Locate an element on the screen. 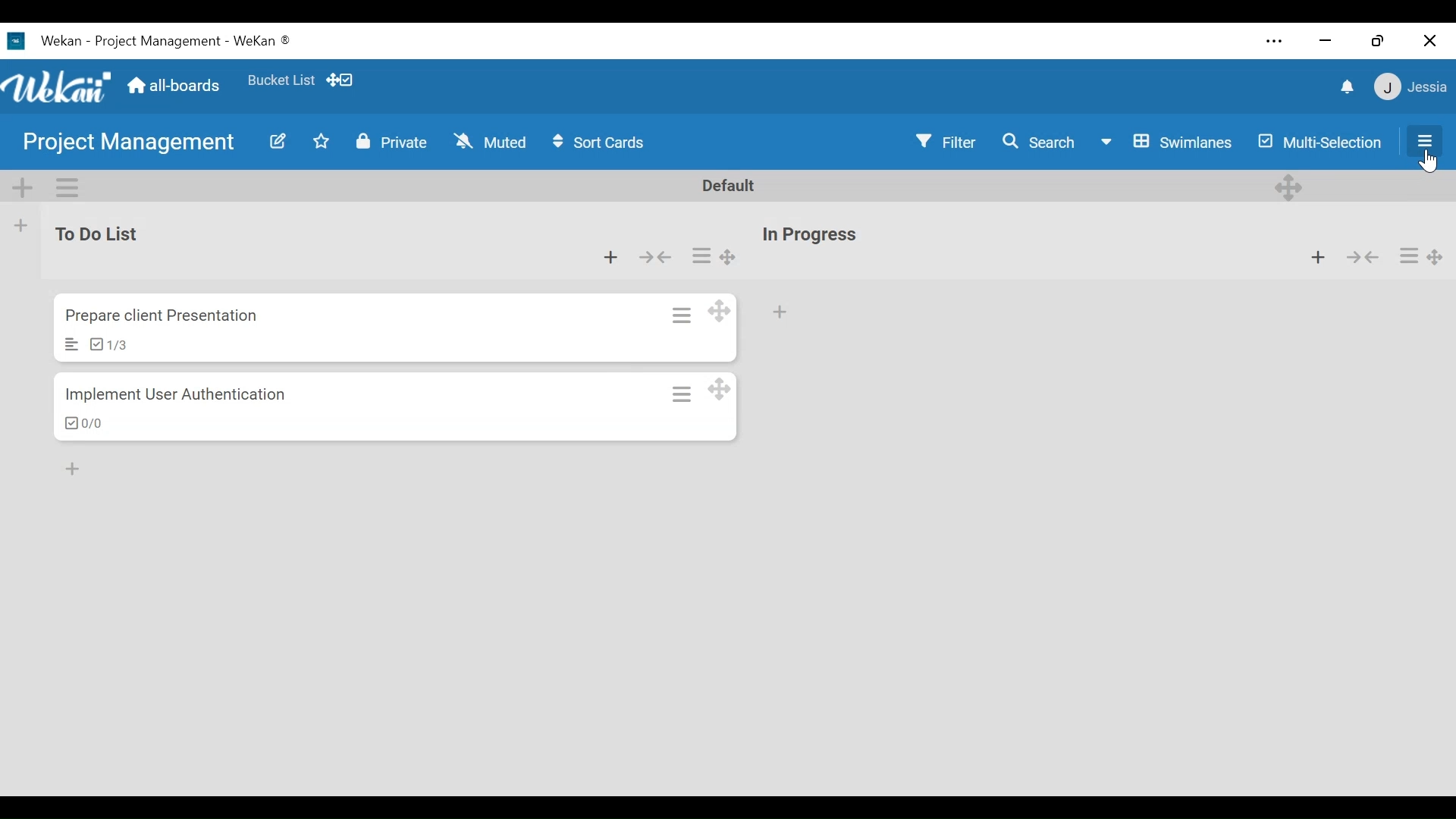 This screenshot has width=1456, height=819. Card actions is located at coordinates (683, 394).